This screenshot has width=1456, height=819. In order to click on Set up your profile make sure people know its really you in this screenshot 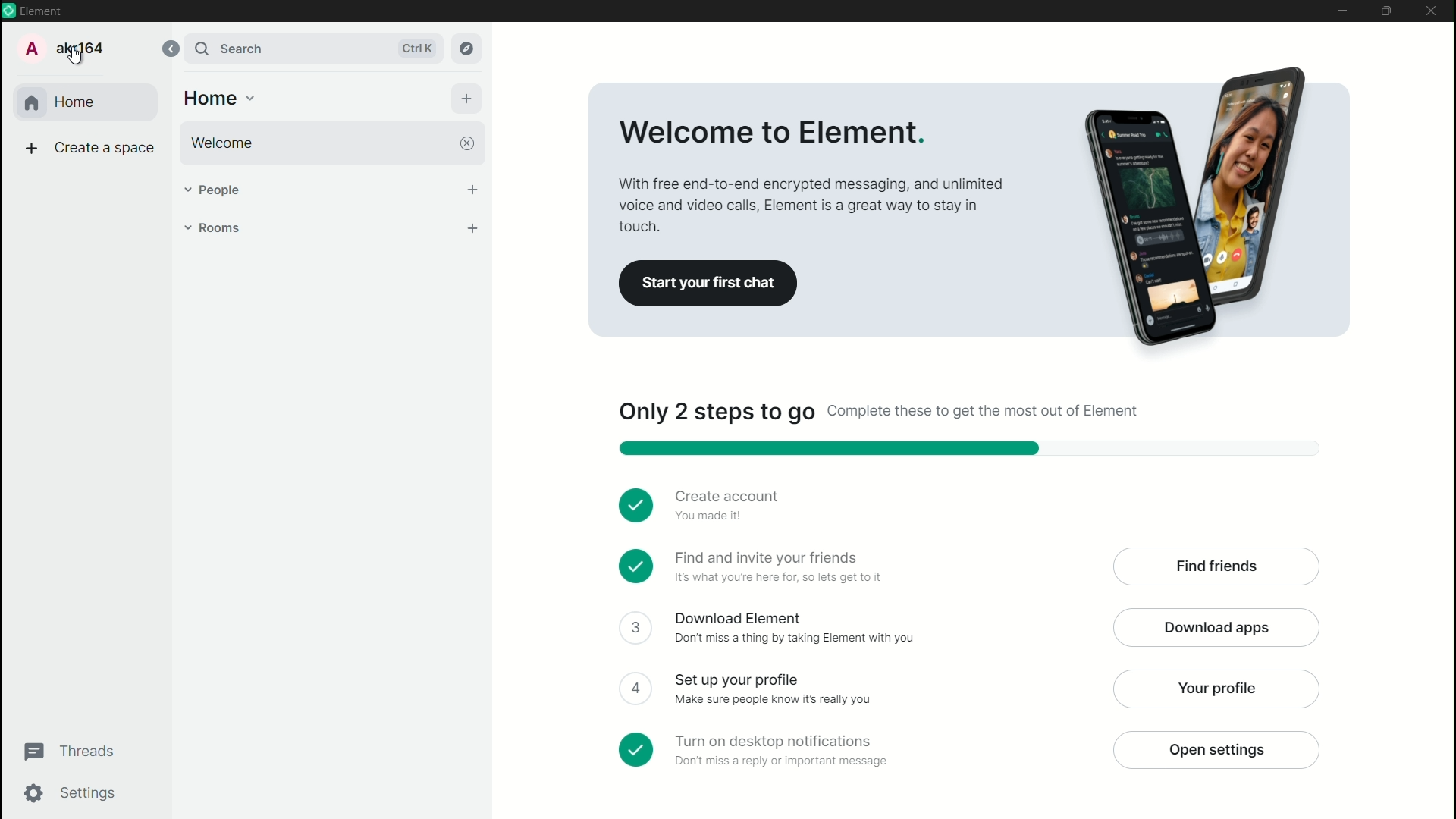, I will do `click(777, 687)`.